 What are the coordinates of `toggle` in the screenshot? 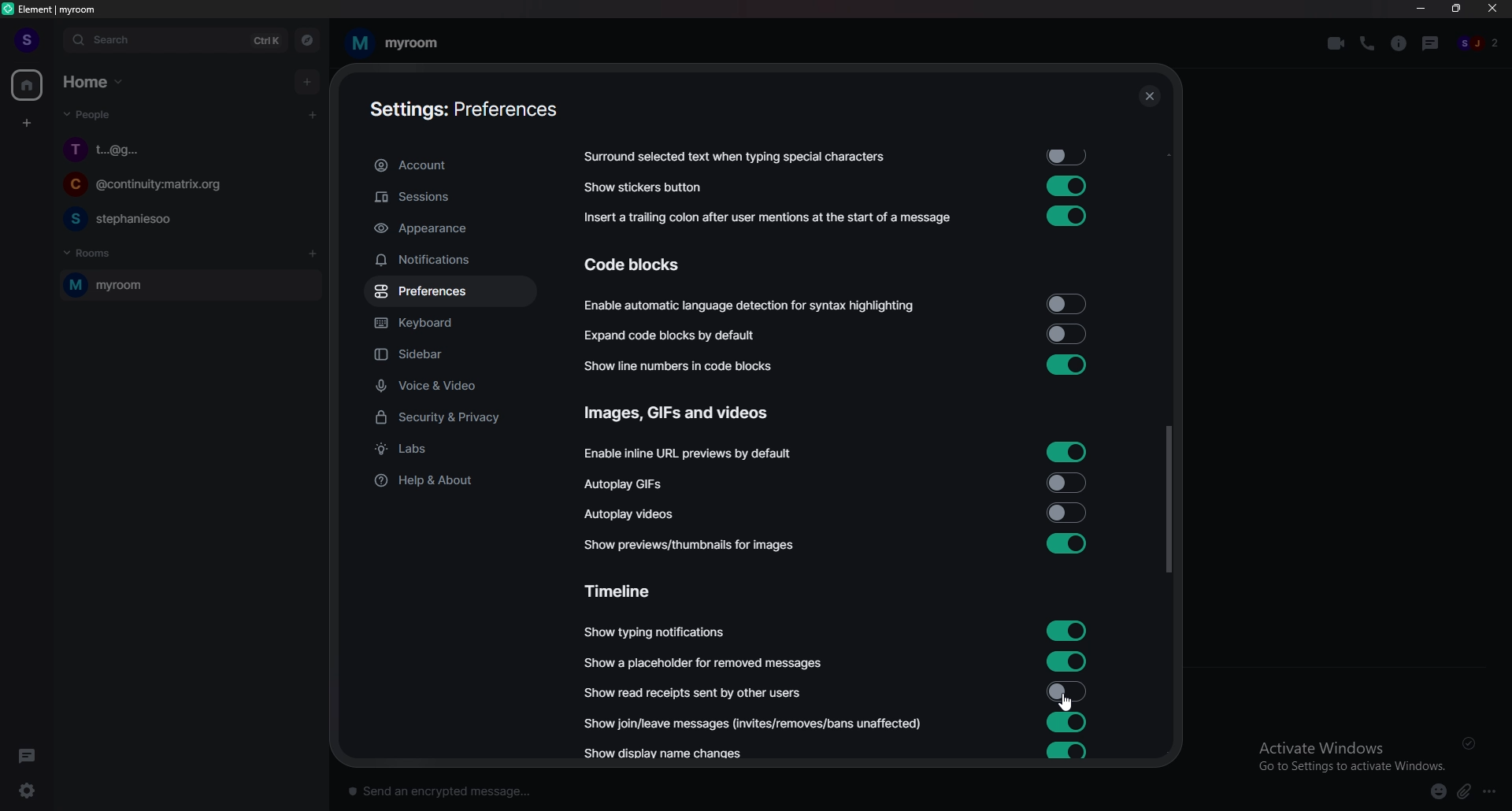 It's located at (1068, 751).